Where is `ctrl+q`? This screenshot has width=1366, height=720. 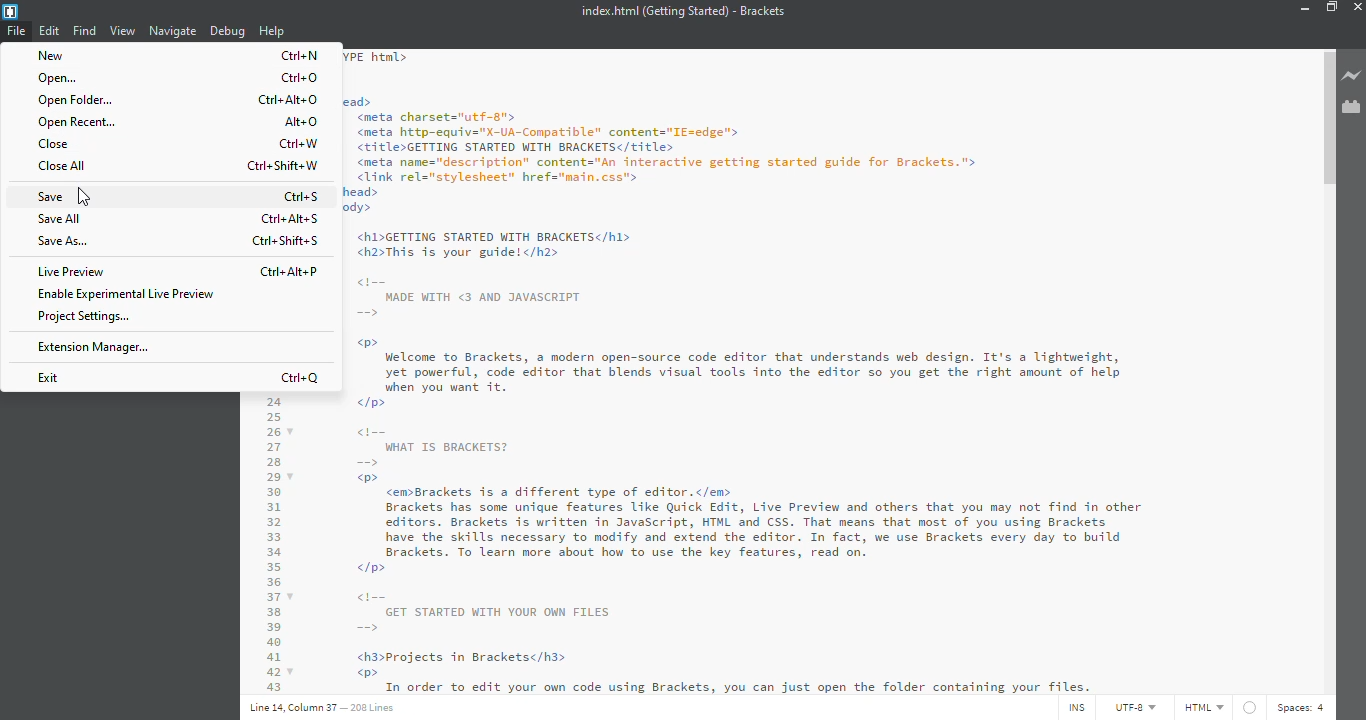
ctrl+q is located at coordinates (301, 377).